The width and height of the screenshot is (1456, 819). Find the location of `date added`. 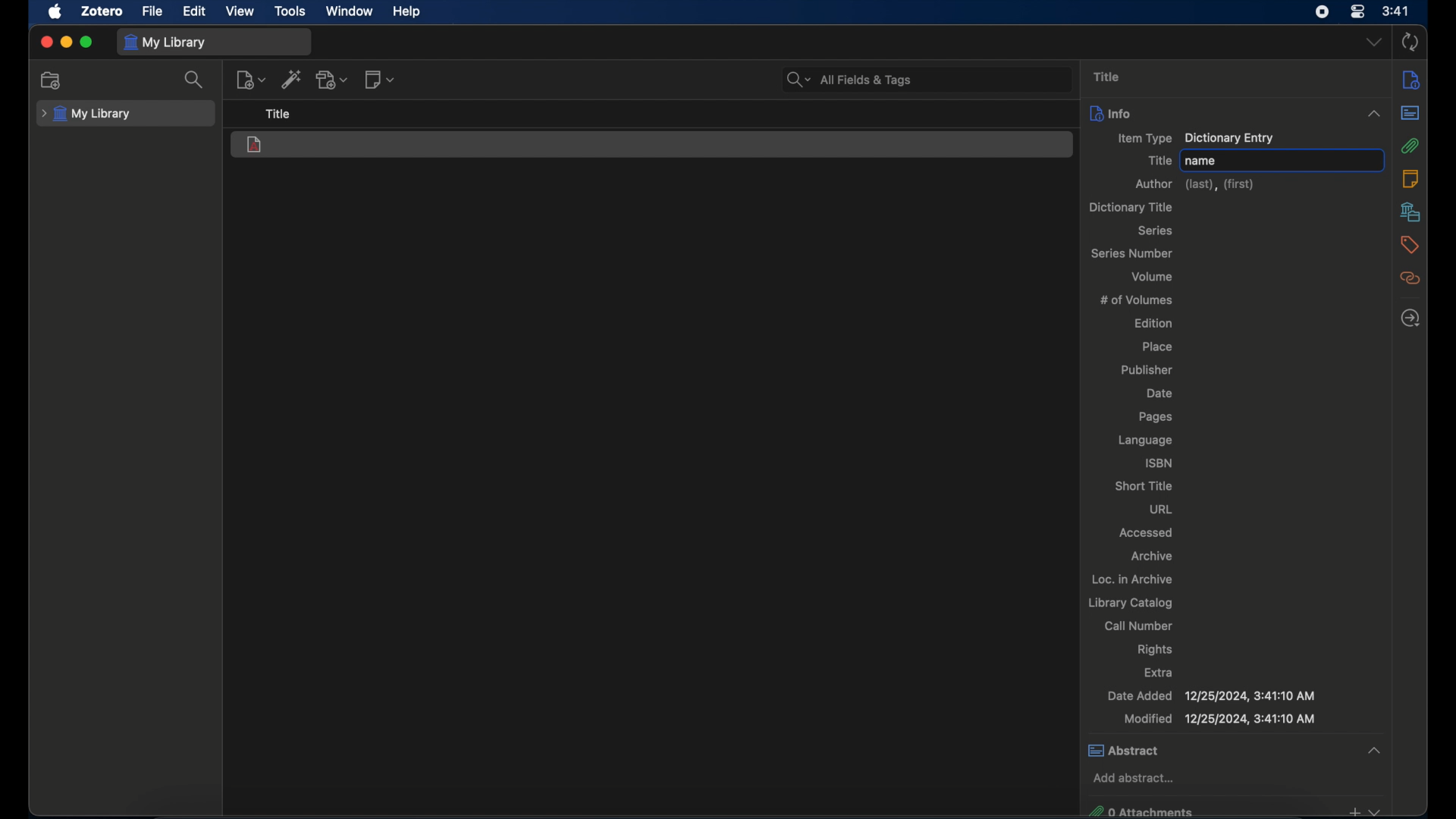

date added is located at coordinates (1212, 696).